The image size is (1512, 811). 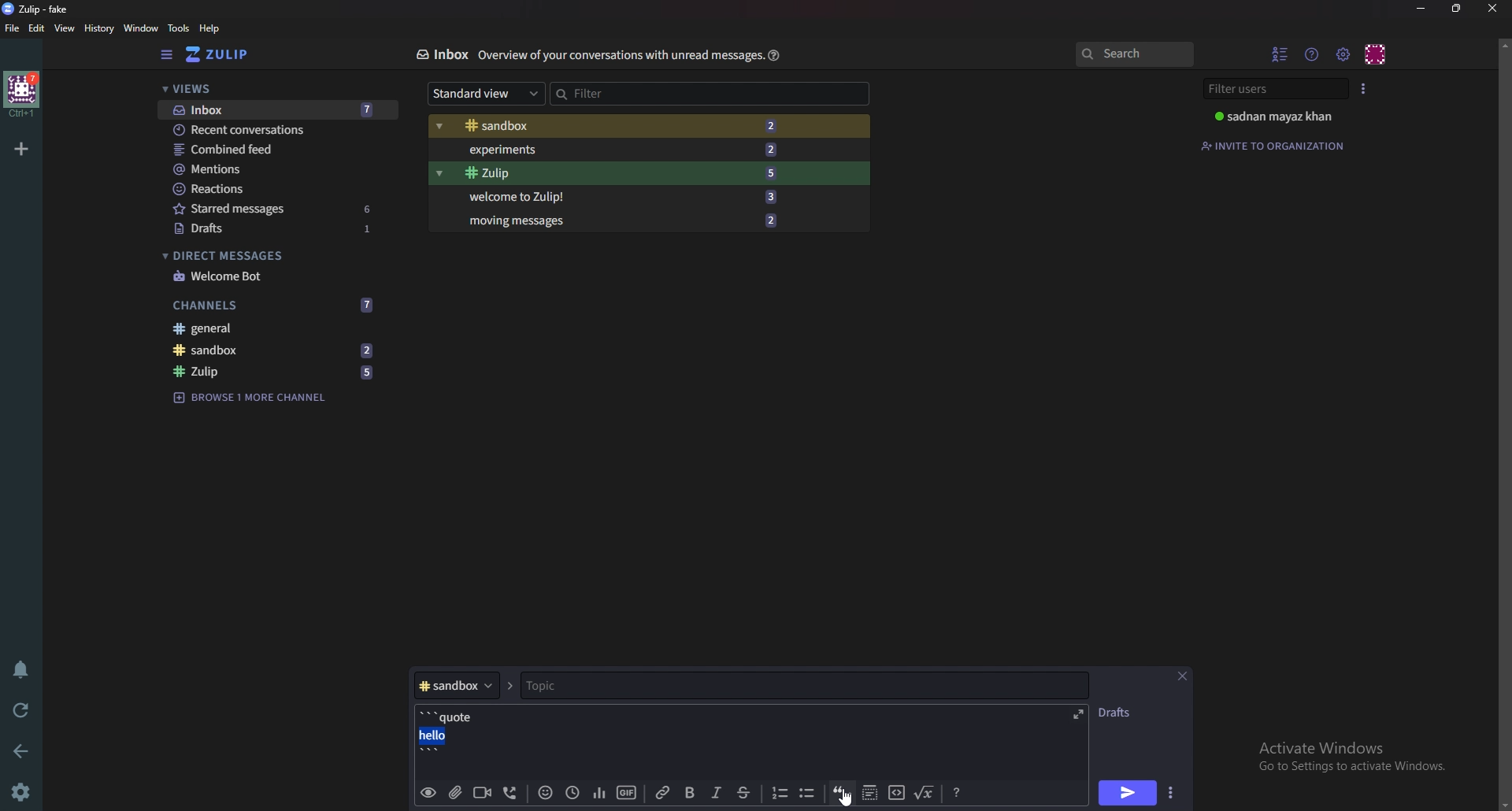 I want to click on Voice call, so click(x=510, y=791).